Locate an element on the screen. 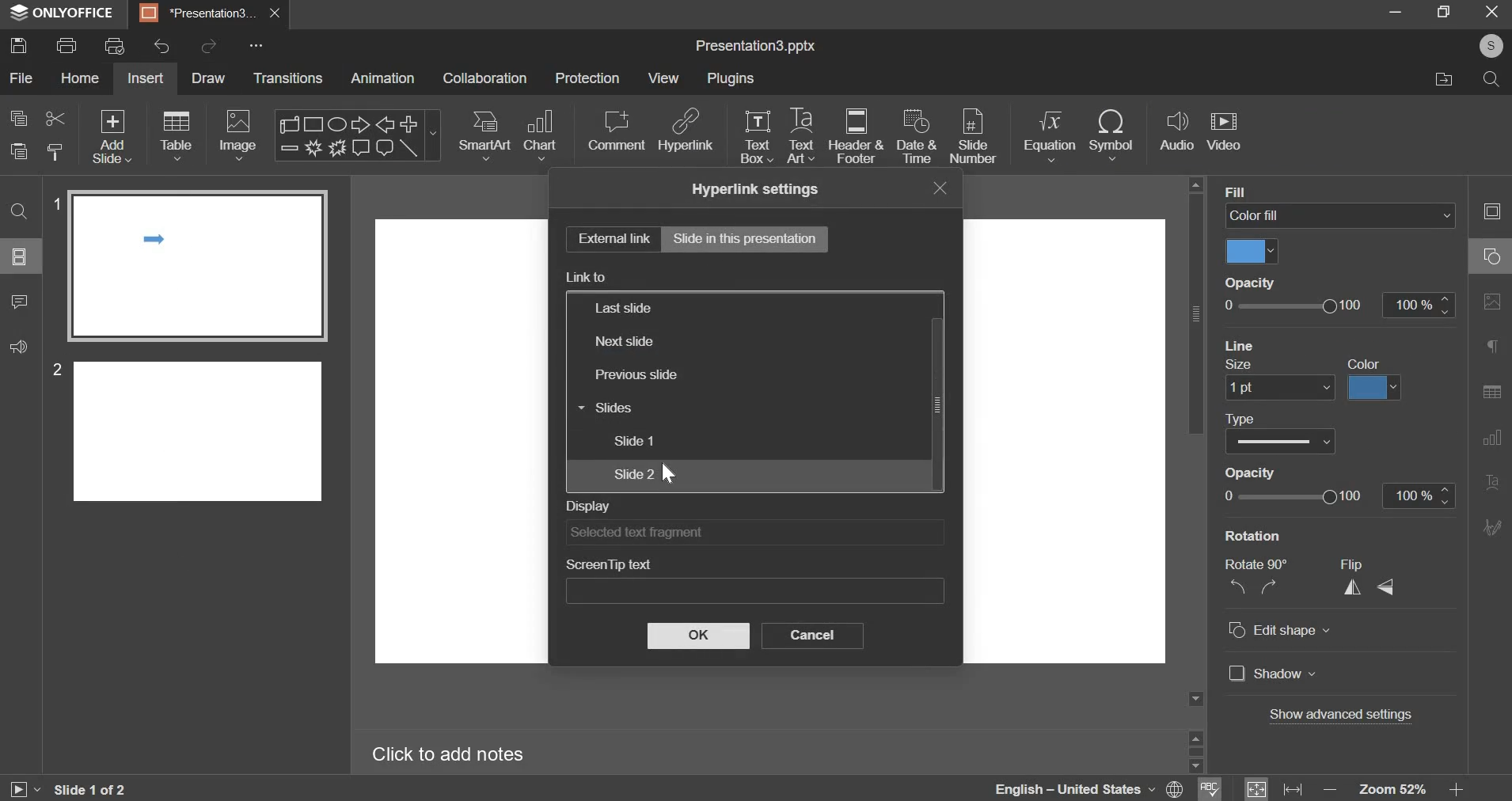 This screenshot has height=801, width=1512. Chart settings is located at coordinates (1492, 438).